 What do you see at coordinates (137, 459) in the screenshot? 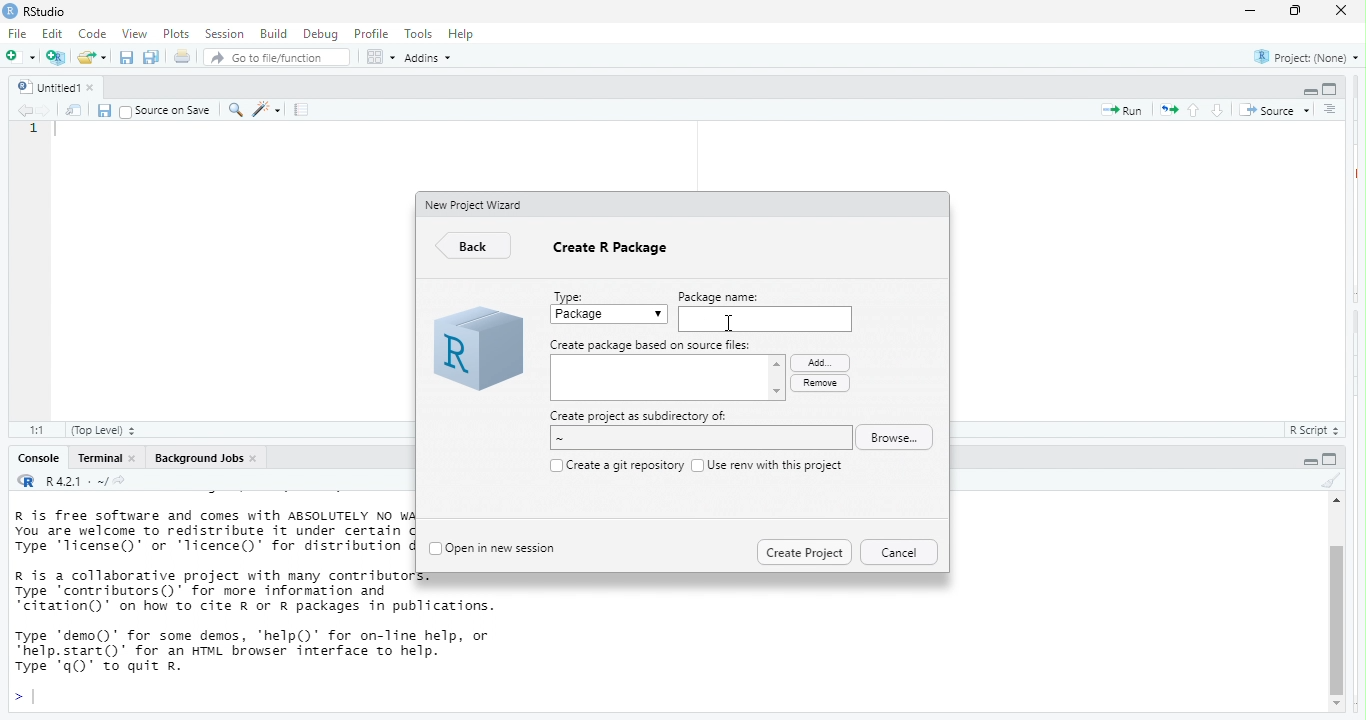
I see `close` at bounding box center [137, 459].